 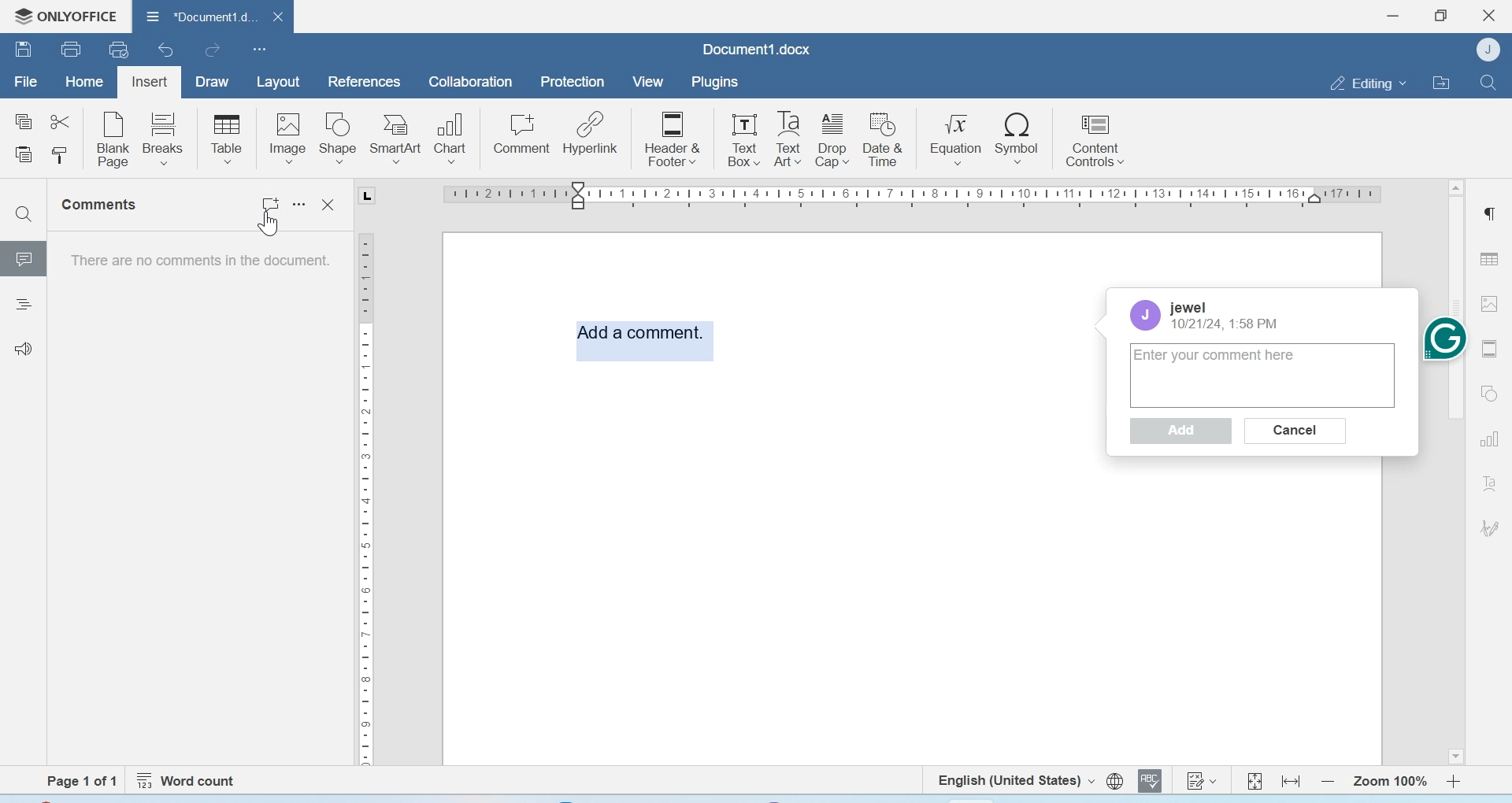 I want to click on Header & footer, so click(x=1490, y=349).